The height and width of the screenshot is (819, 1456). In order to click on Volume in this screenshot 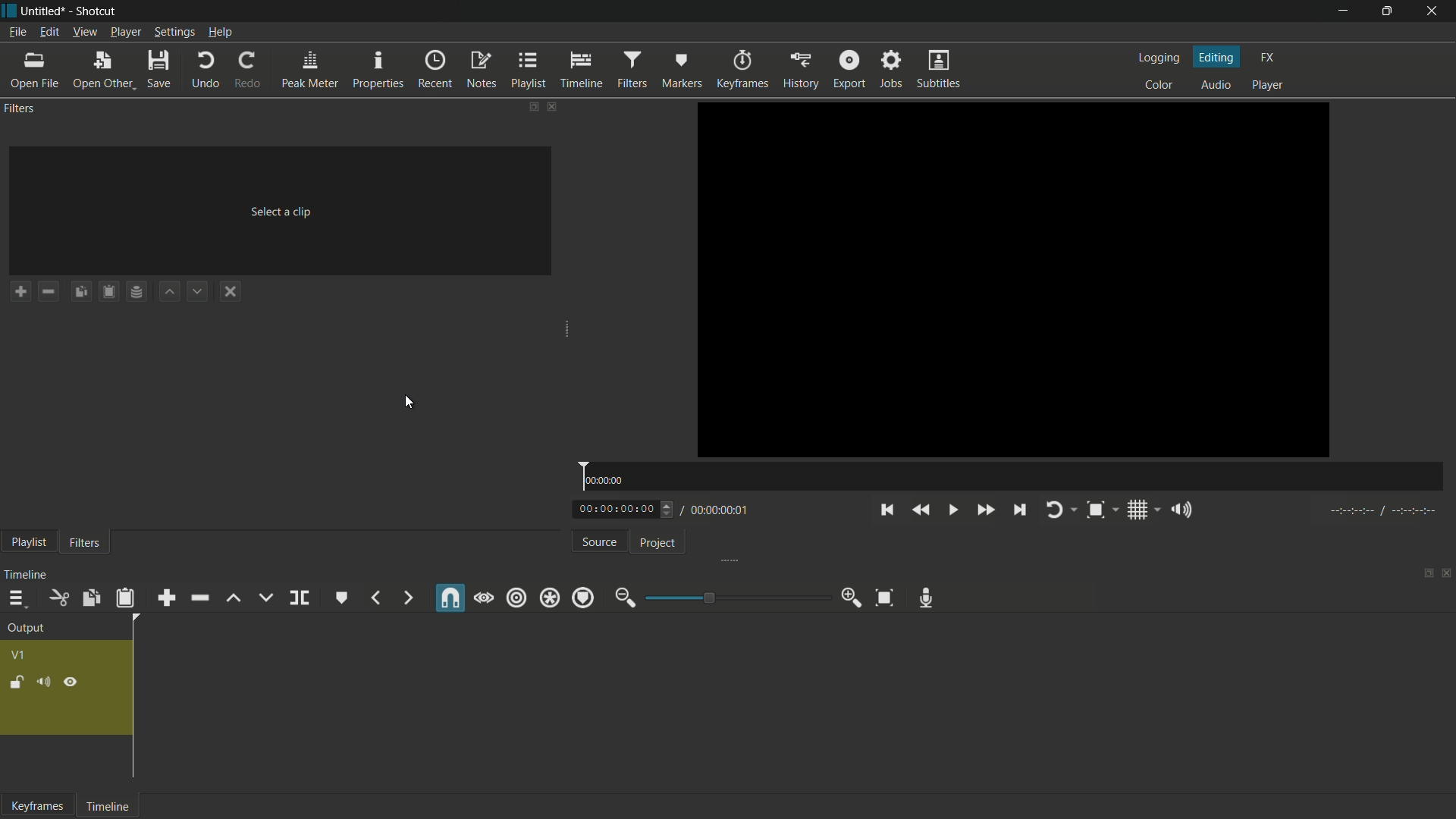, I will do `click(43, 682)`.